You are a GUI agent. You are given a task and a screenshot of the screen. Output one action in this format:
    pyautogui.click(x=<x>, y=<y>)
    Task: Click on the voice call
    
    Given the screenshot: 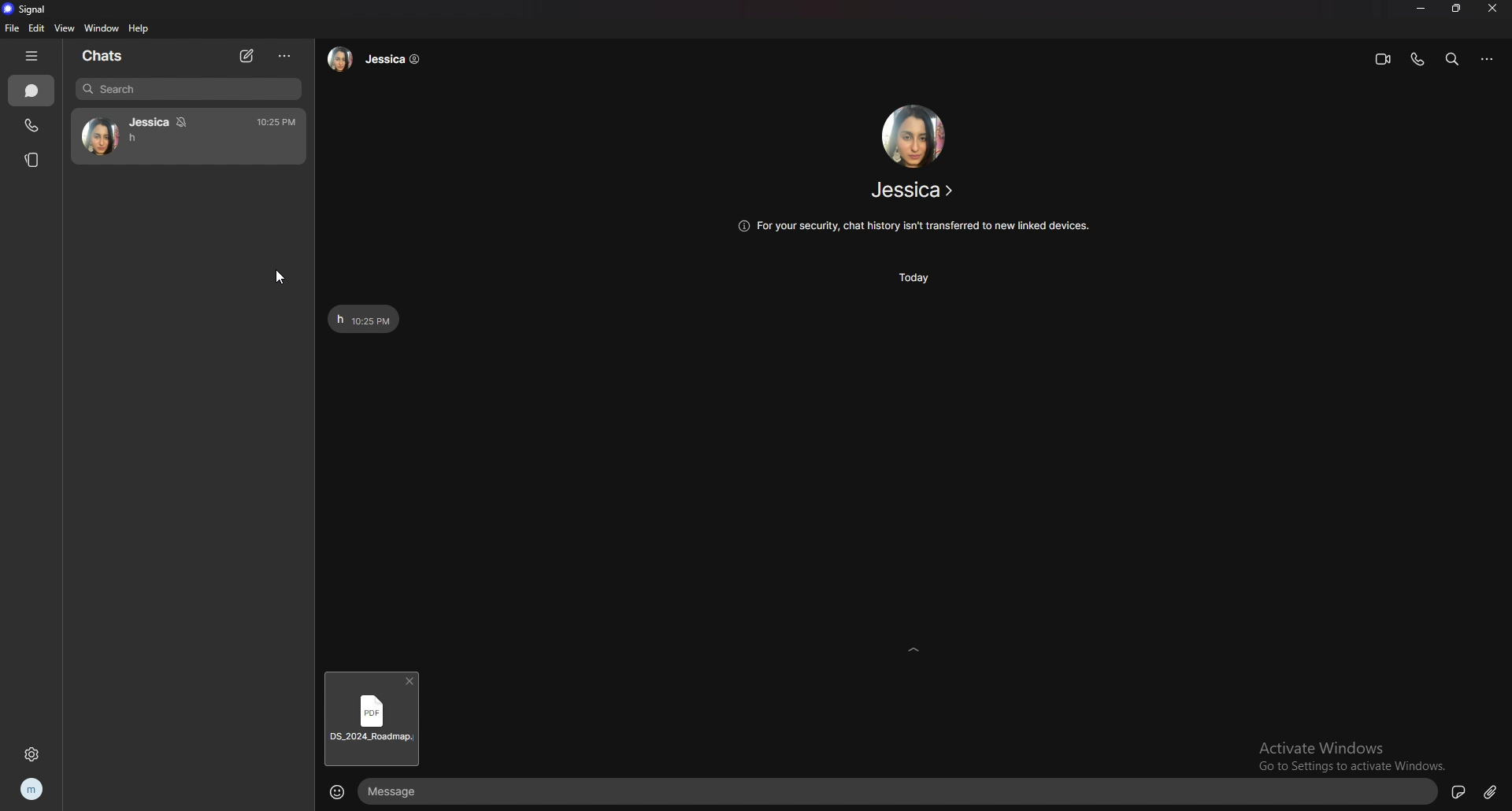 What is the action you would take?
    pyautogui.click(x=1417, y=59)
    